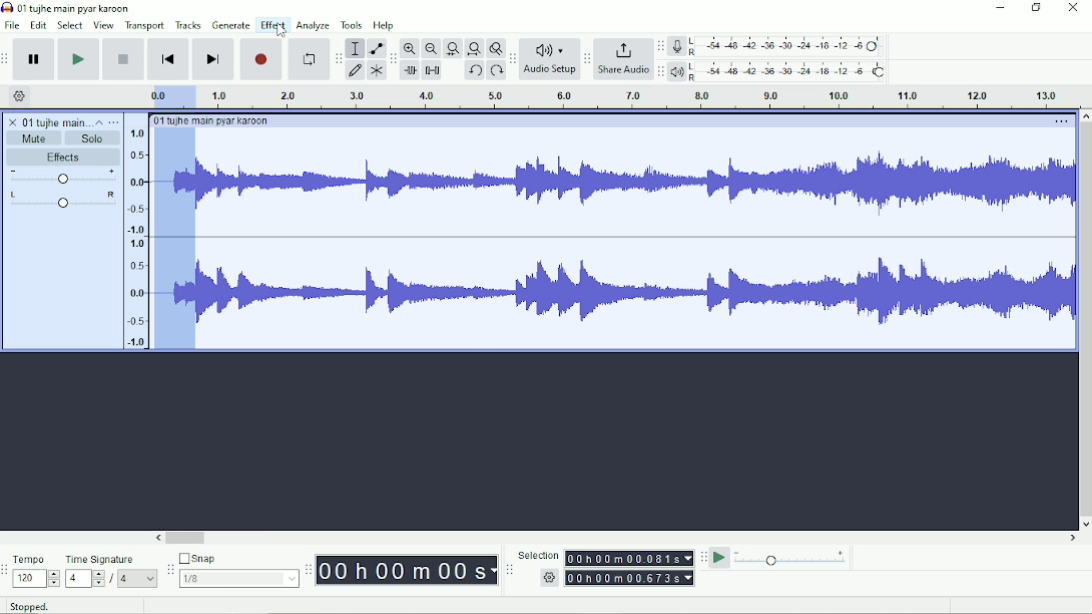 The image size is (1092, 614). I want to click on Record, so click(262, 59).